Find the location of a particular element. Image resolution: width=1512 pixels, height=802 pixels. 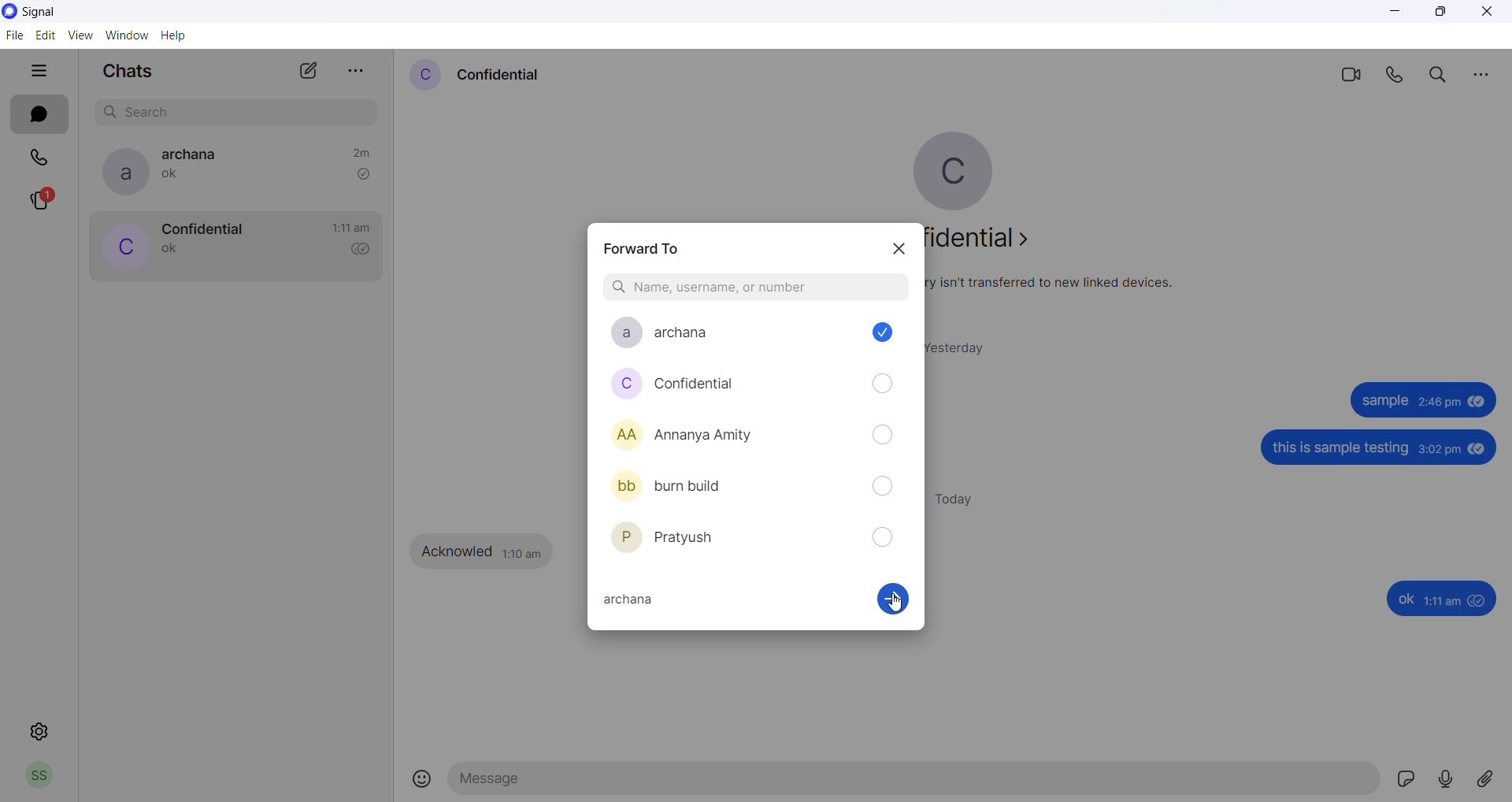

cursor is located at coordinates (896, 602).